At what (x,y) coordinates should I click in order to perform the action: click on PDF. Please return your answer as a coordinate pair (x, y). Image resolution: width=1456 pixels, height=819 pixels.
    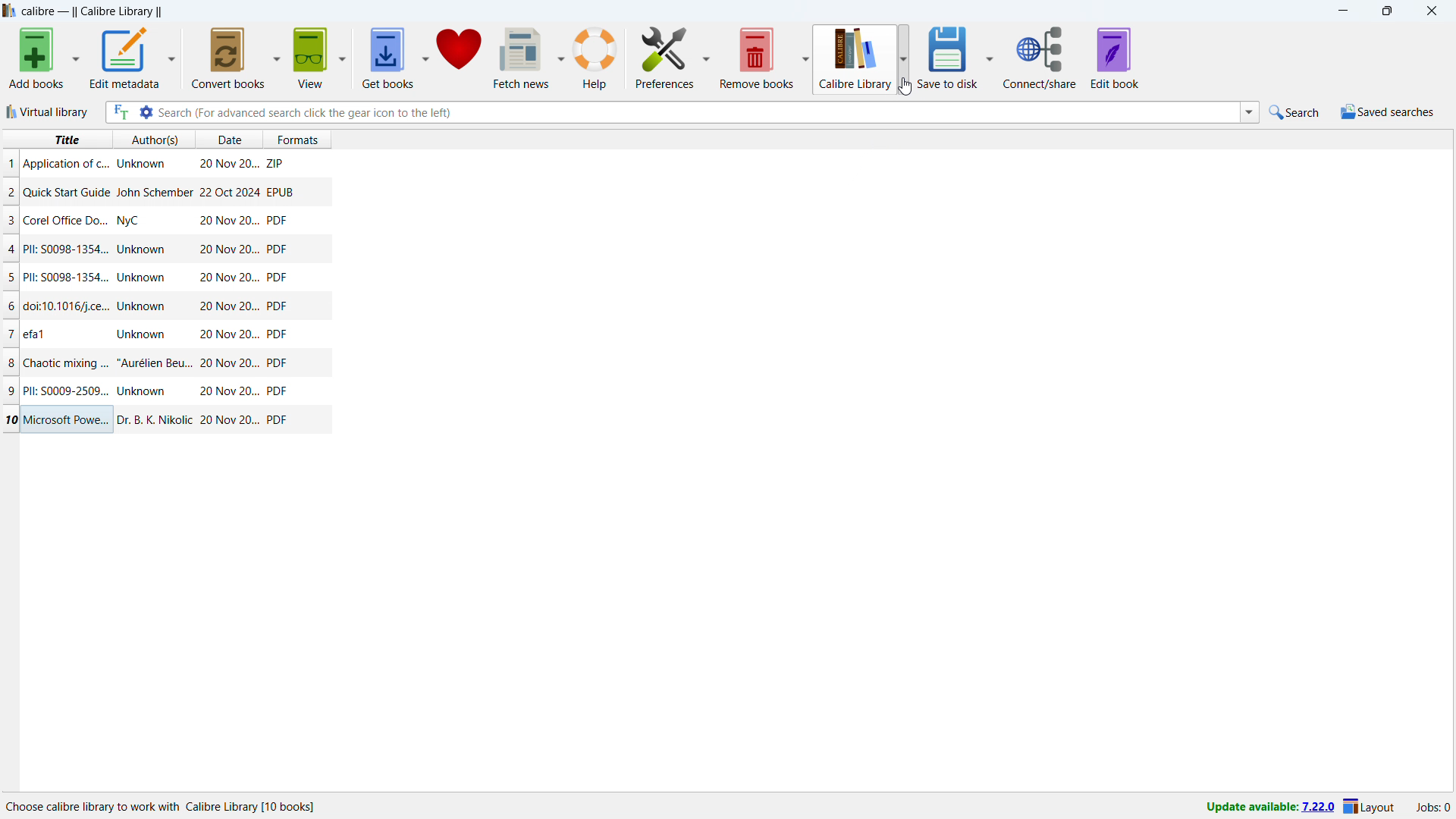
    Looking at the image, I should click on (277, 391).